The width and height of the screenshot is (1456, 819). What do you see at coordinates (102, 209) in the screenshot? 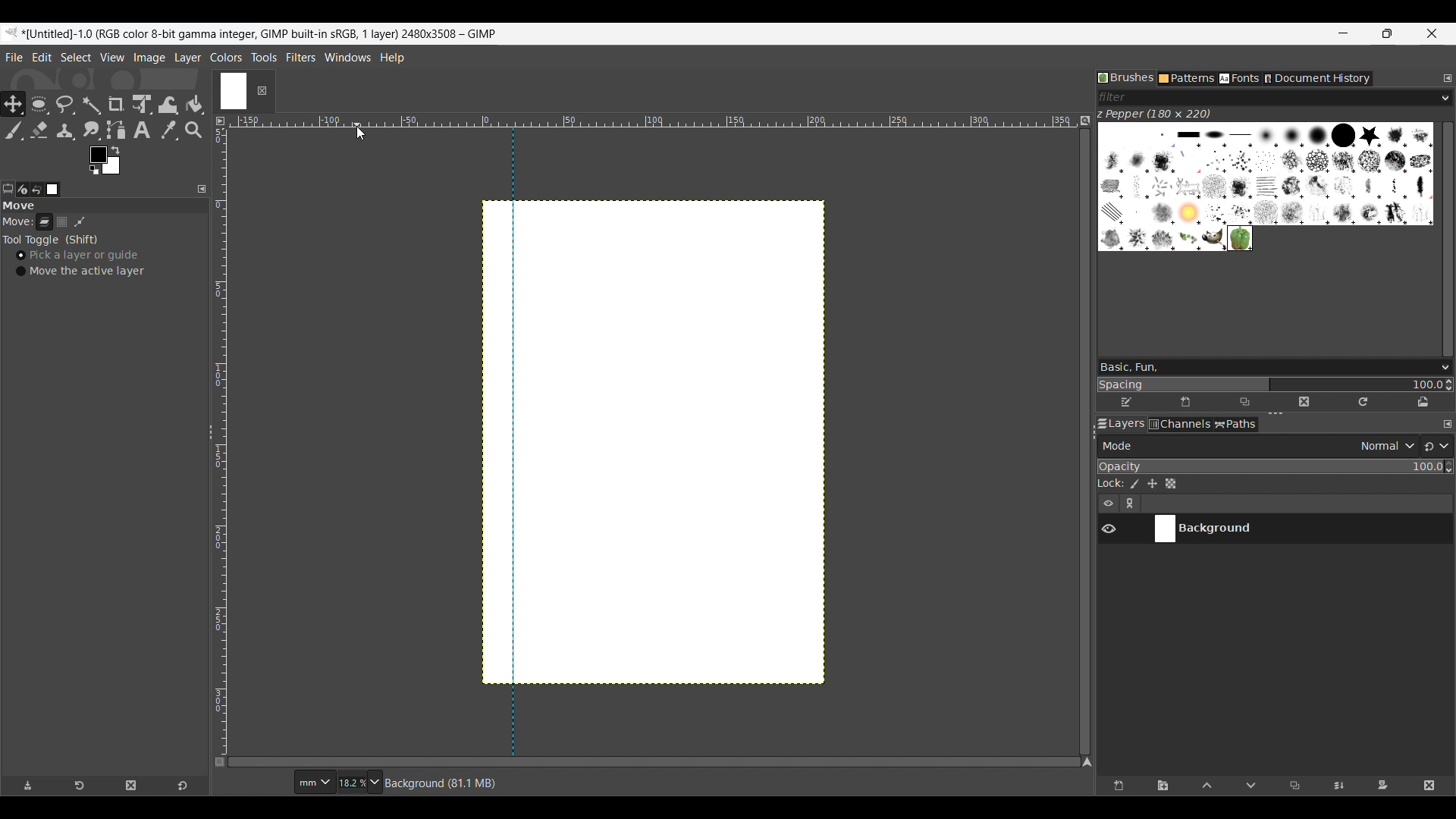
I see `Section title` at bounding box center [102, 209].